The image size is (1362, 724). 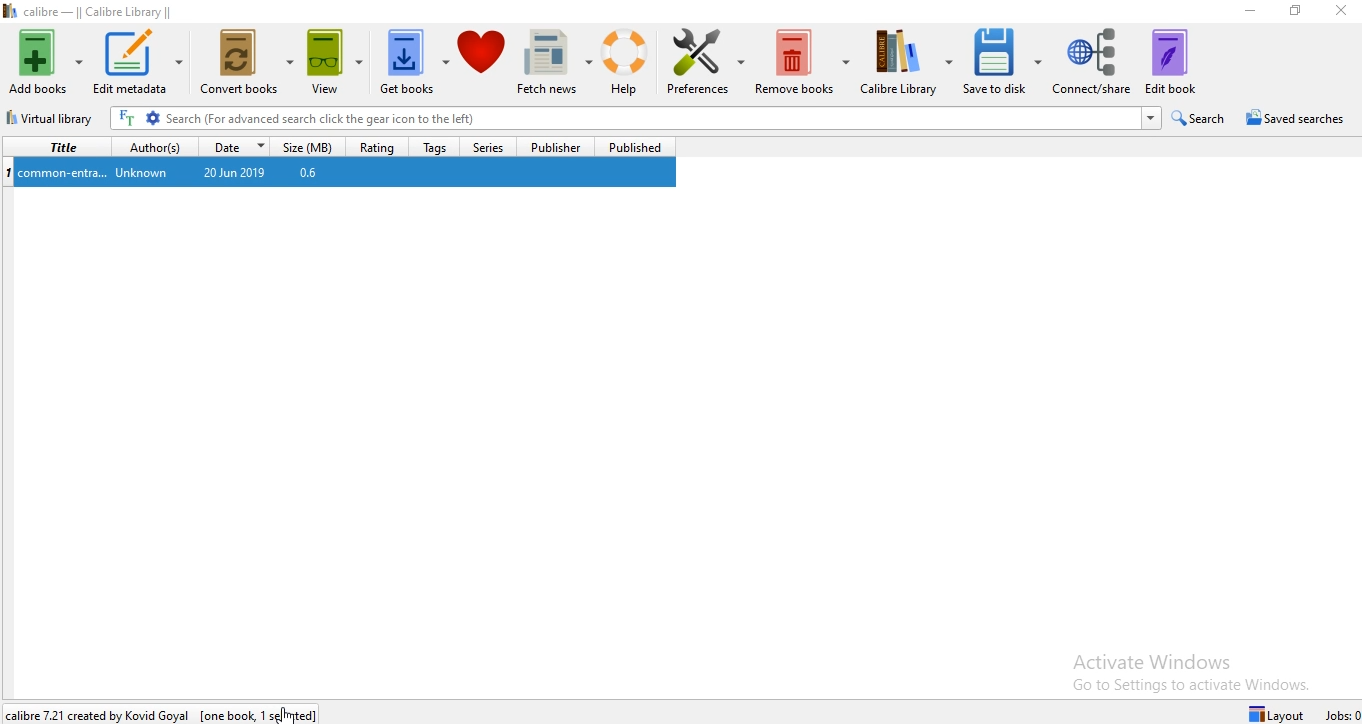 I want to click on Layout, so click(x=1268, y=711).